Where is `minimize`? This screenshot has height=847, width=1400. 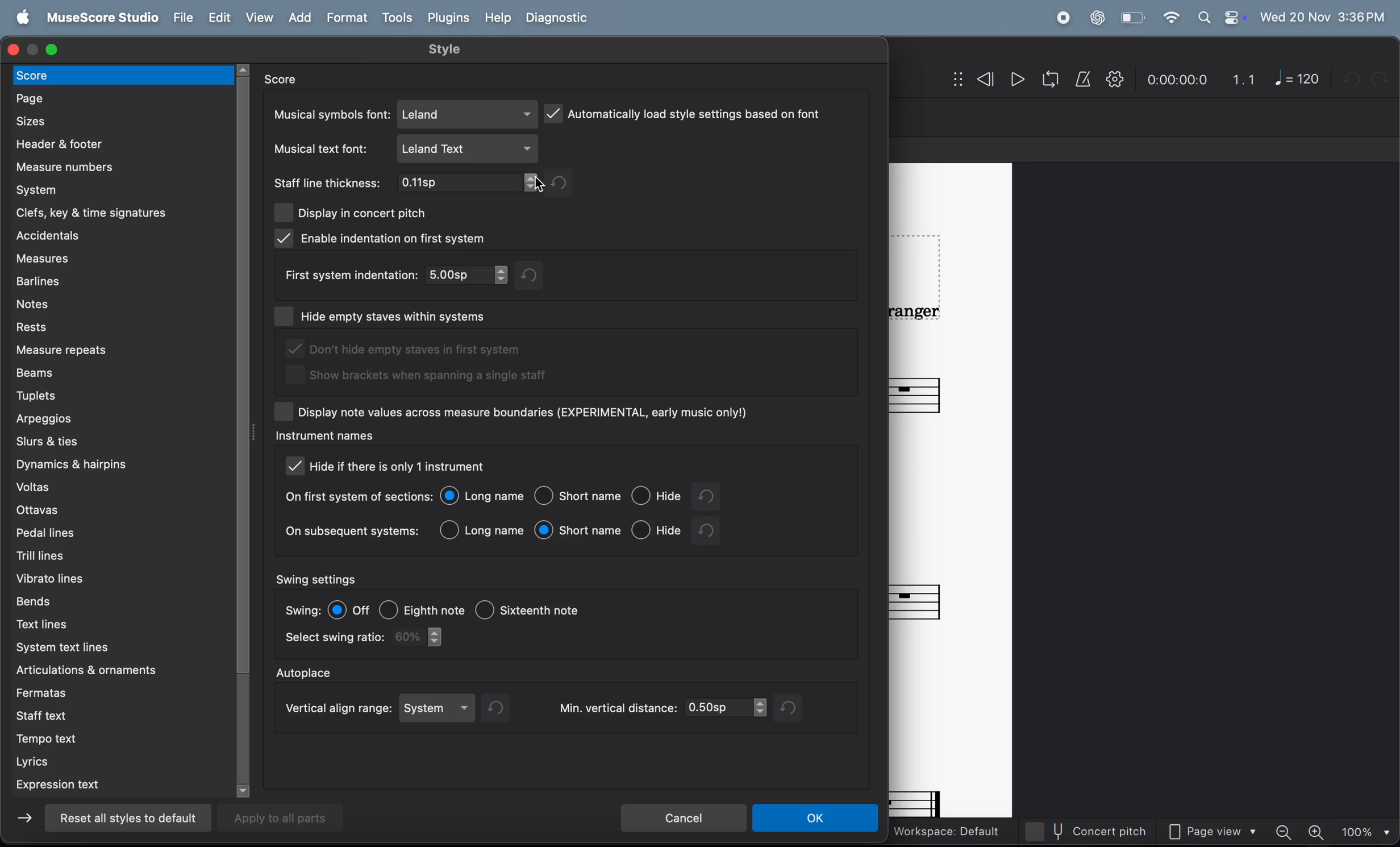
minimize is located at coordinates (35, 49).